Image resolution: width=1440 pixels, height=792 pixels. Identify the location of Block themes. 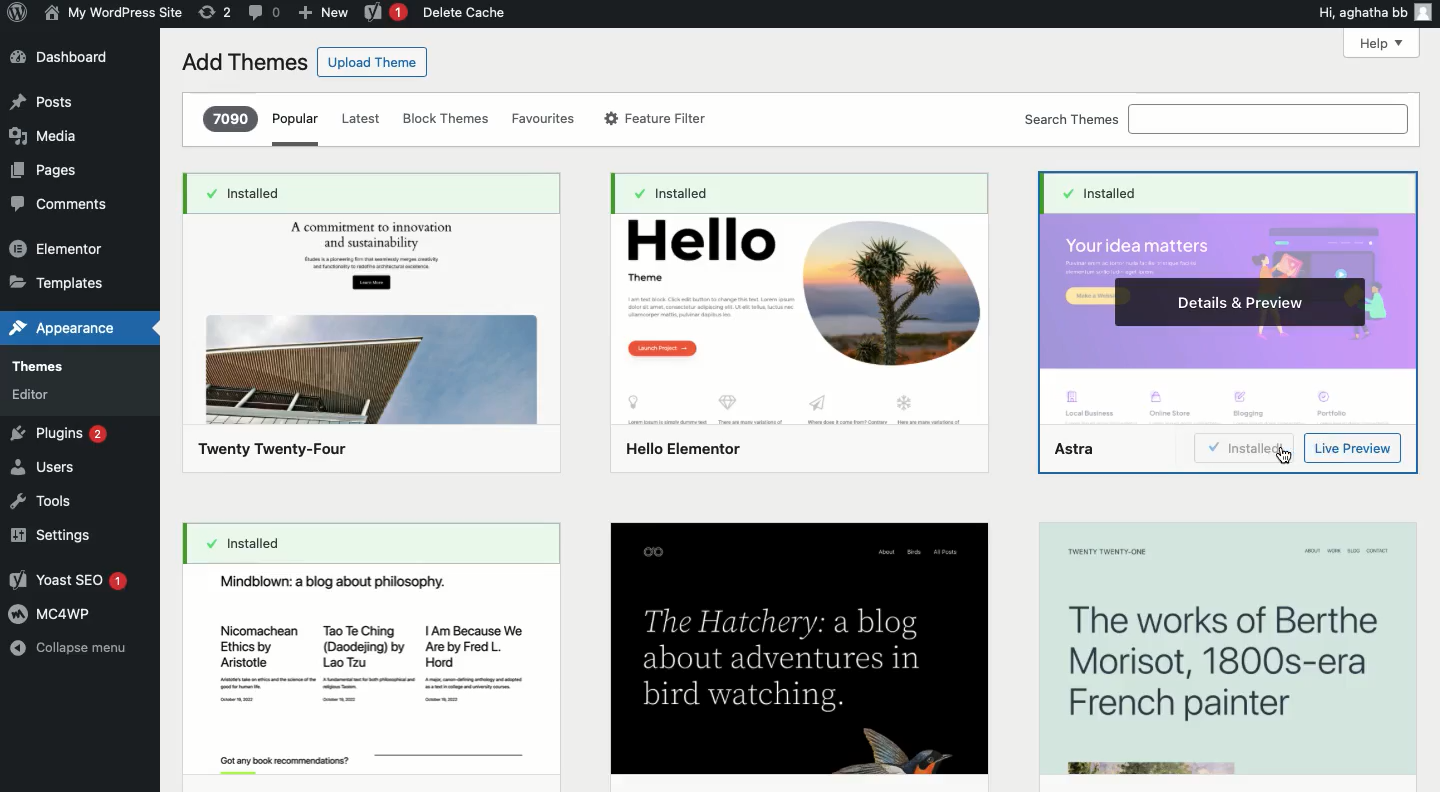
(445, 119).